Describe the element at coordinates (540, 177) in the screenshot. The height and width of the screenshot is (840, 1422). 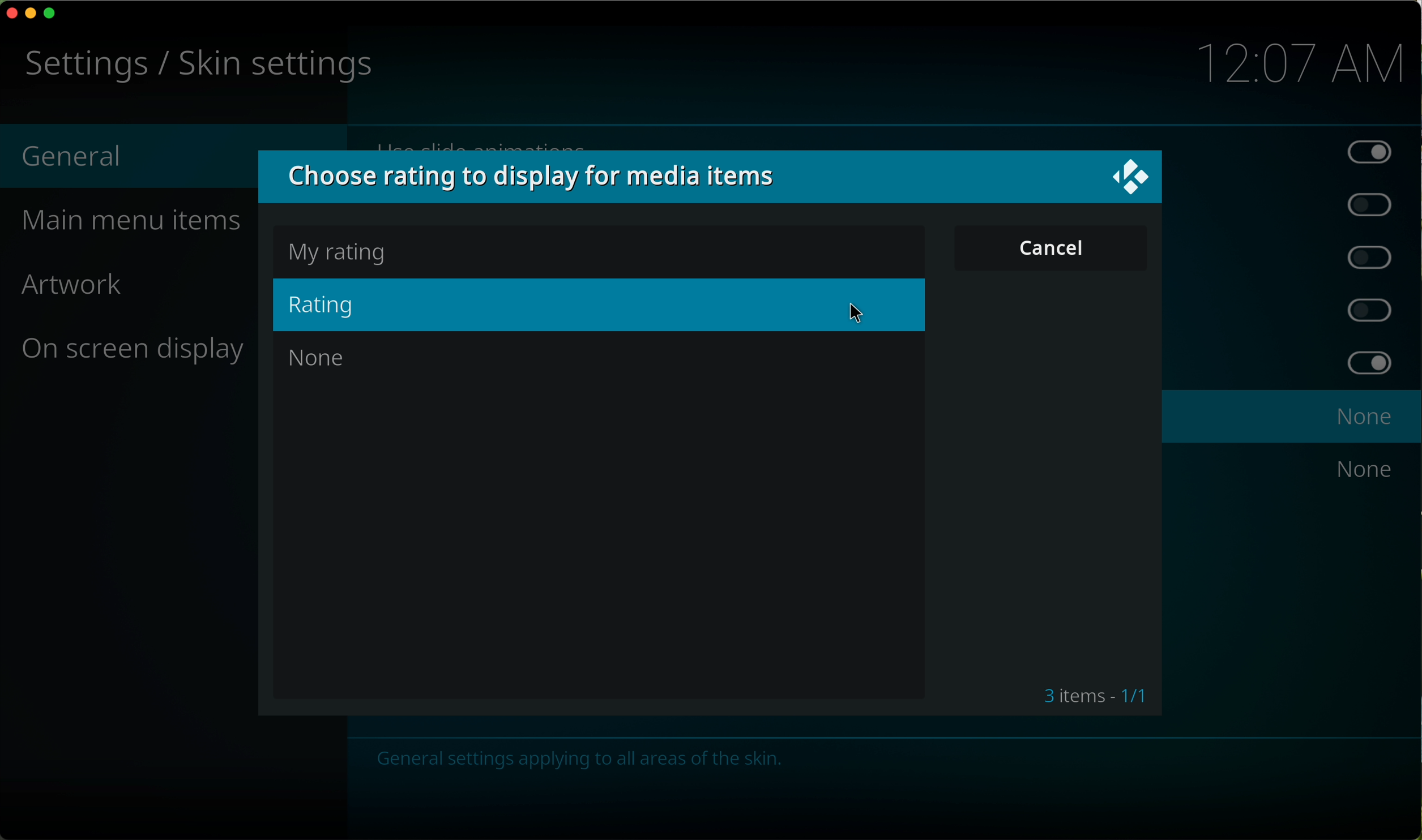
I see `choose rating to display for media items` at that location.